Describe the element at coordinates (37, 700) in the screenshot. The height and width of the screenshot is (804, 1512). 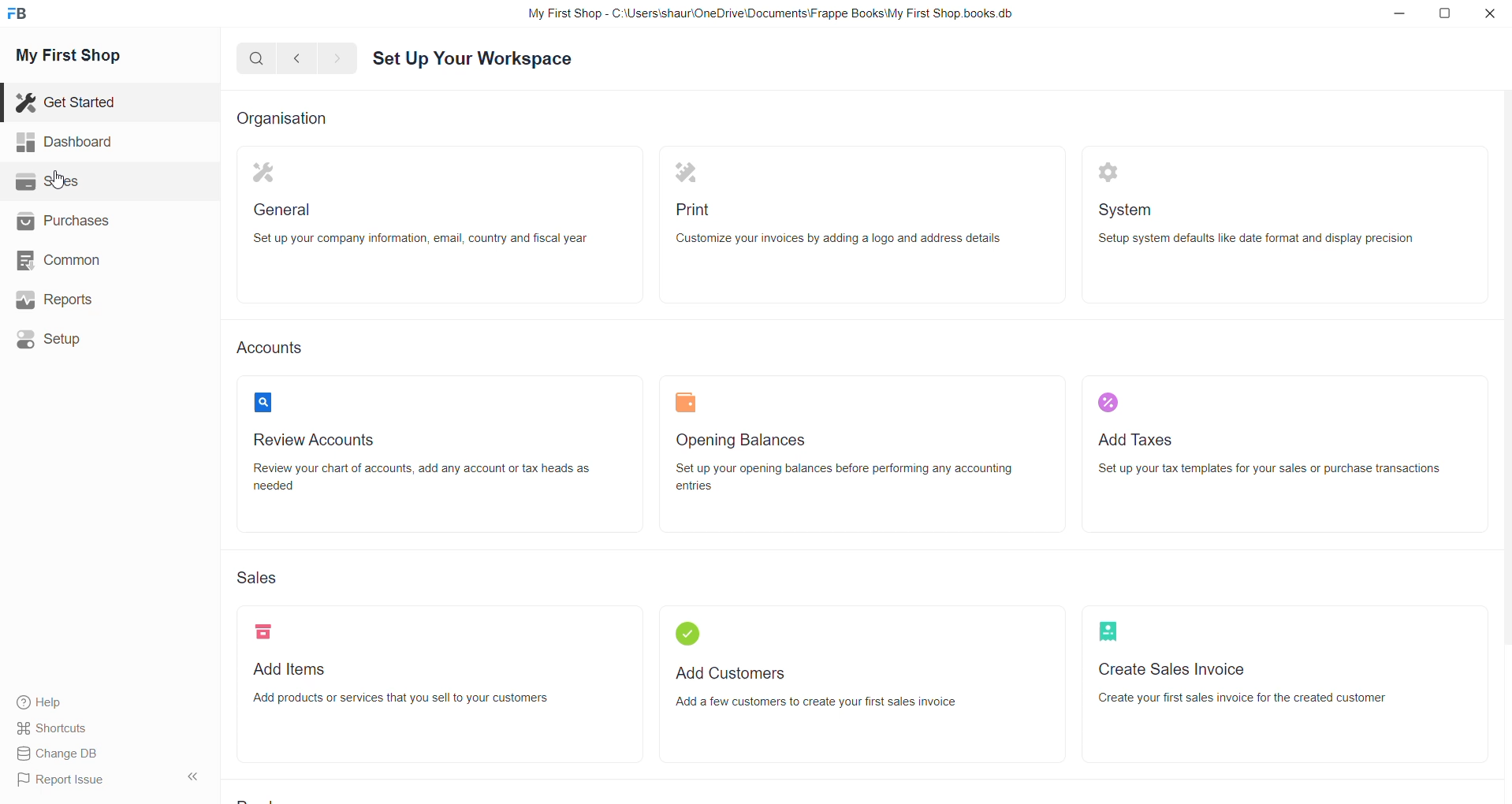
I see `Help` at that location.